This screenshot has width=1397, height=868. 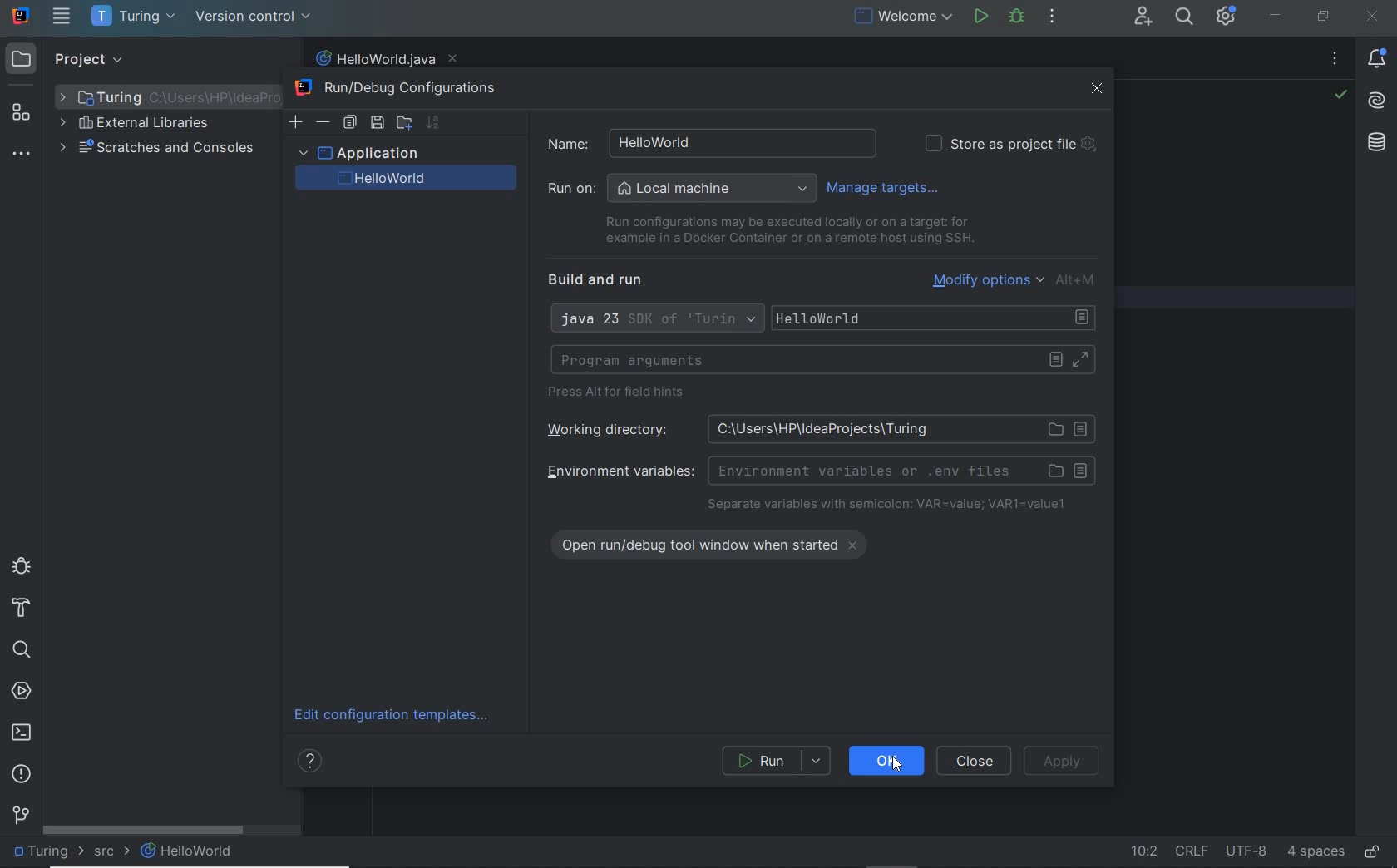 I want to click on COPY CONFIGURATION, so click(x=349, y=123).